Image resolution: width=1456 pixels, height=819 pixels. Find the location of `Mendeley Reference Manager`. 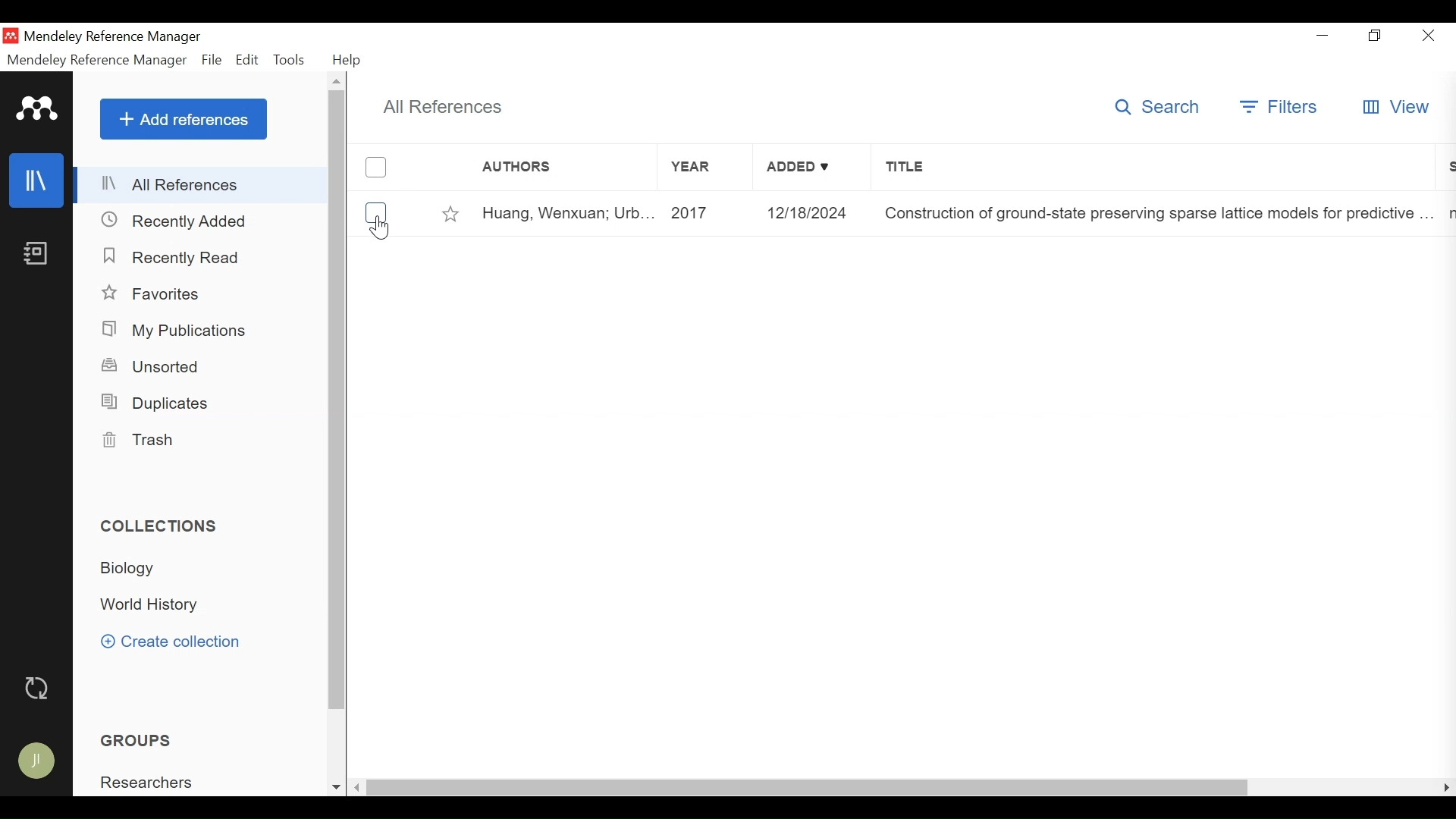

Mendeley Reference Manager is located at coordinates (120, 36).